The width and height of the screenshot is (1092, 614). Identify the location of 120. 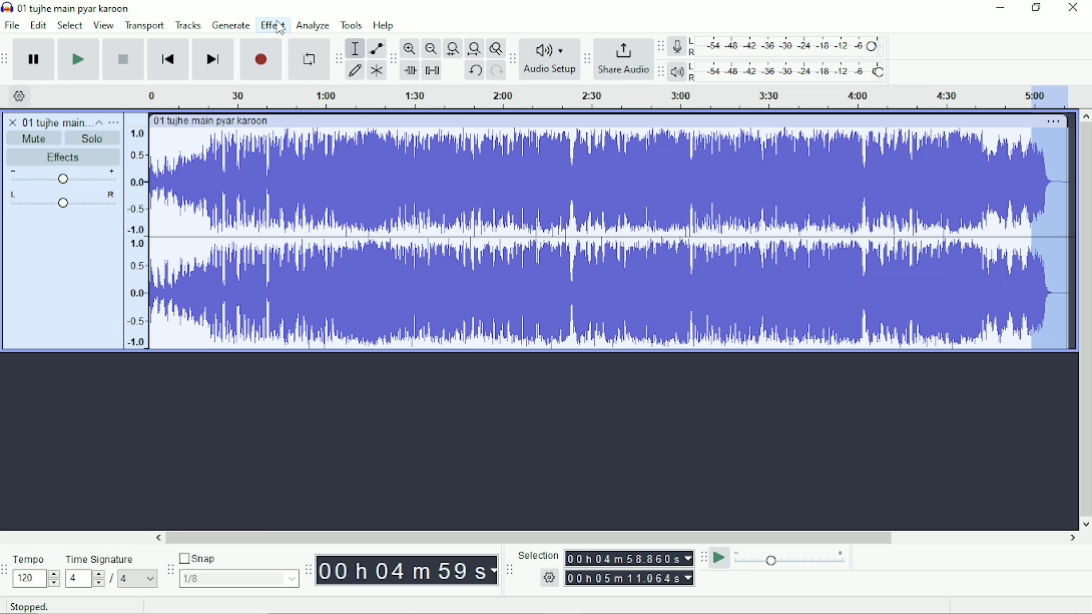
(37, 578).